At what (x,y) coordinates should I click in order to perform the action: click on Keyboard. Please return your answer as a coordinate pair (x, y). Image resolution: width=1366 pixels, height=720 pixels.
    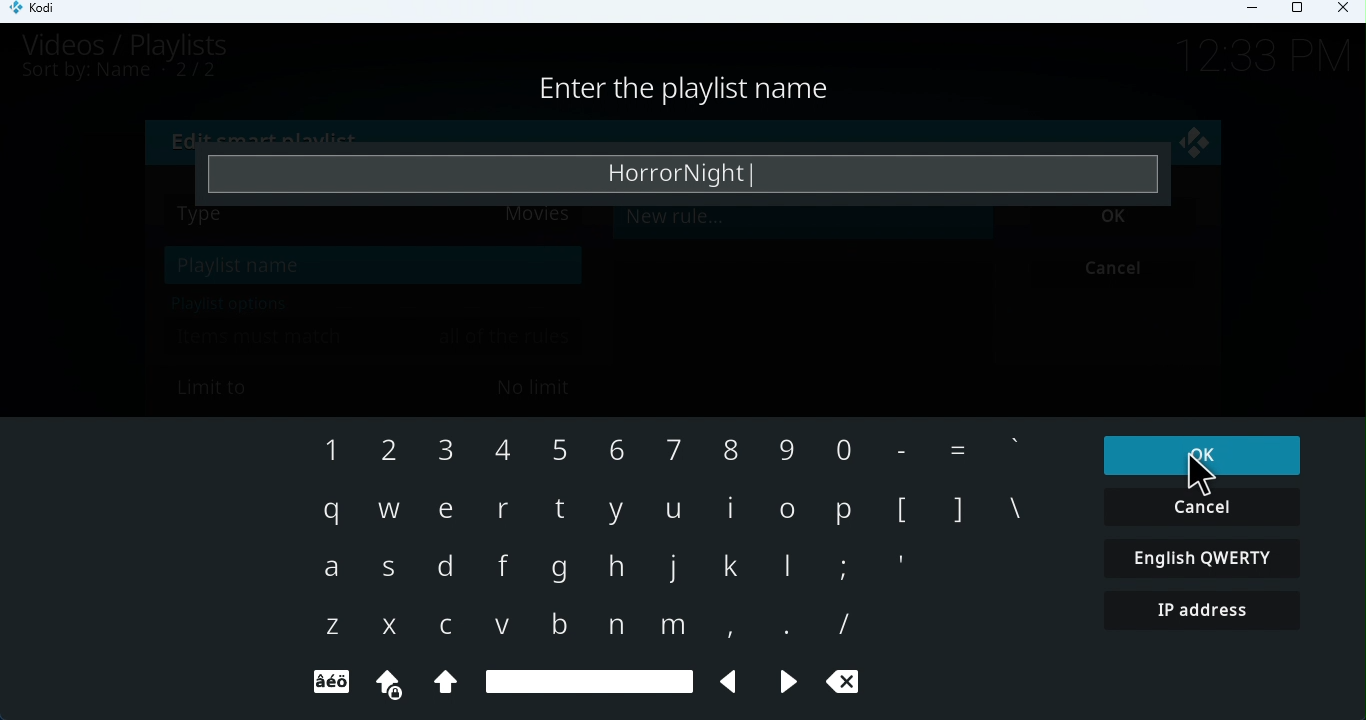
    Looking at the image, I should click on (674, 564).